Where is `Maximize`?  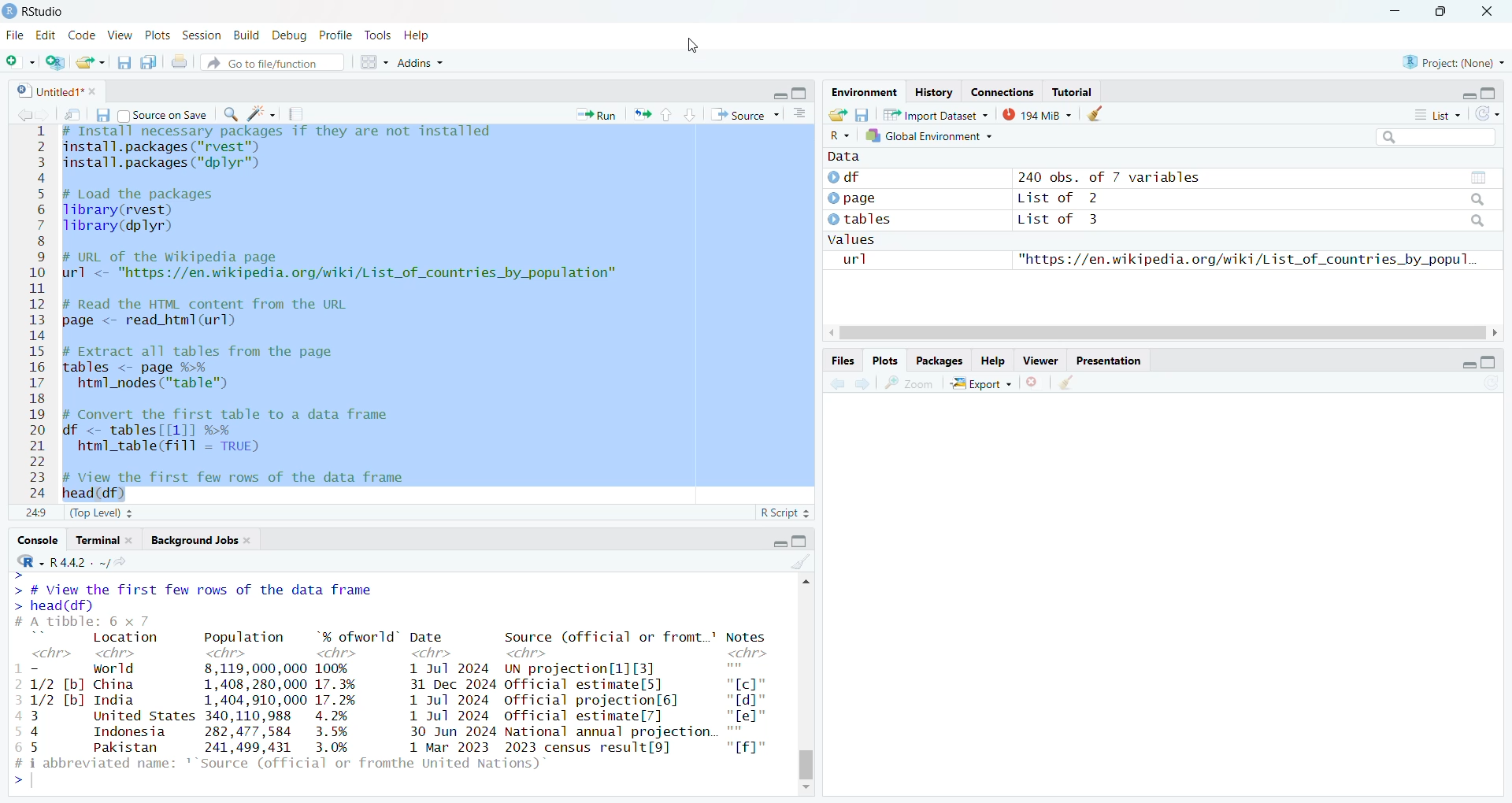
Maximize is located at coordinates (799, 542).